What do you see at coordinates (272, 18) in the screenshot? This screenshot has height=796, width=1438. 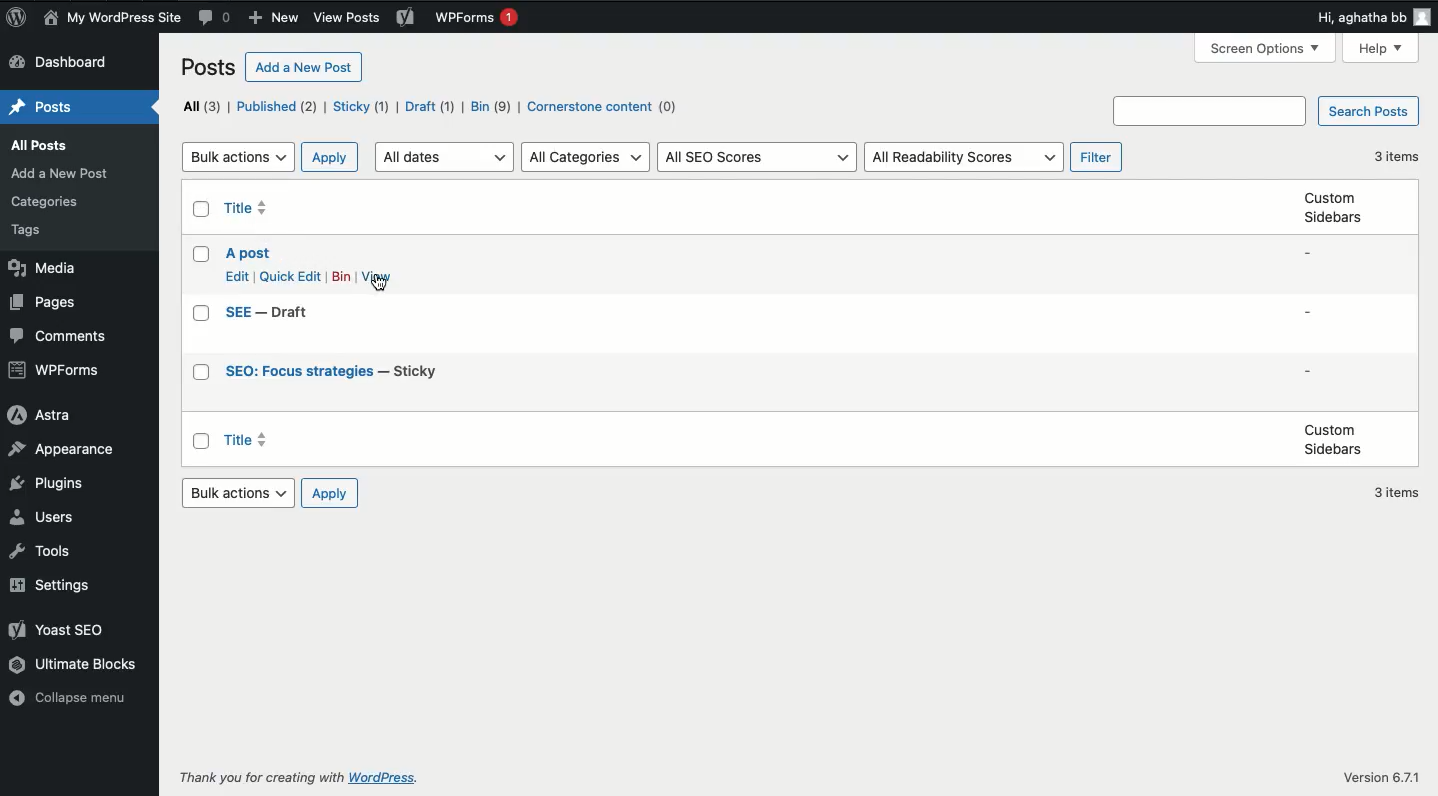 I see `New` at bounding box center [272, 18].